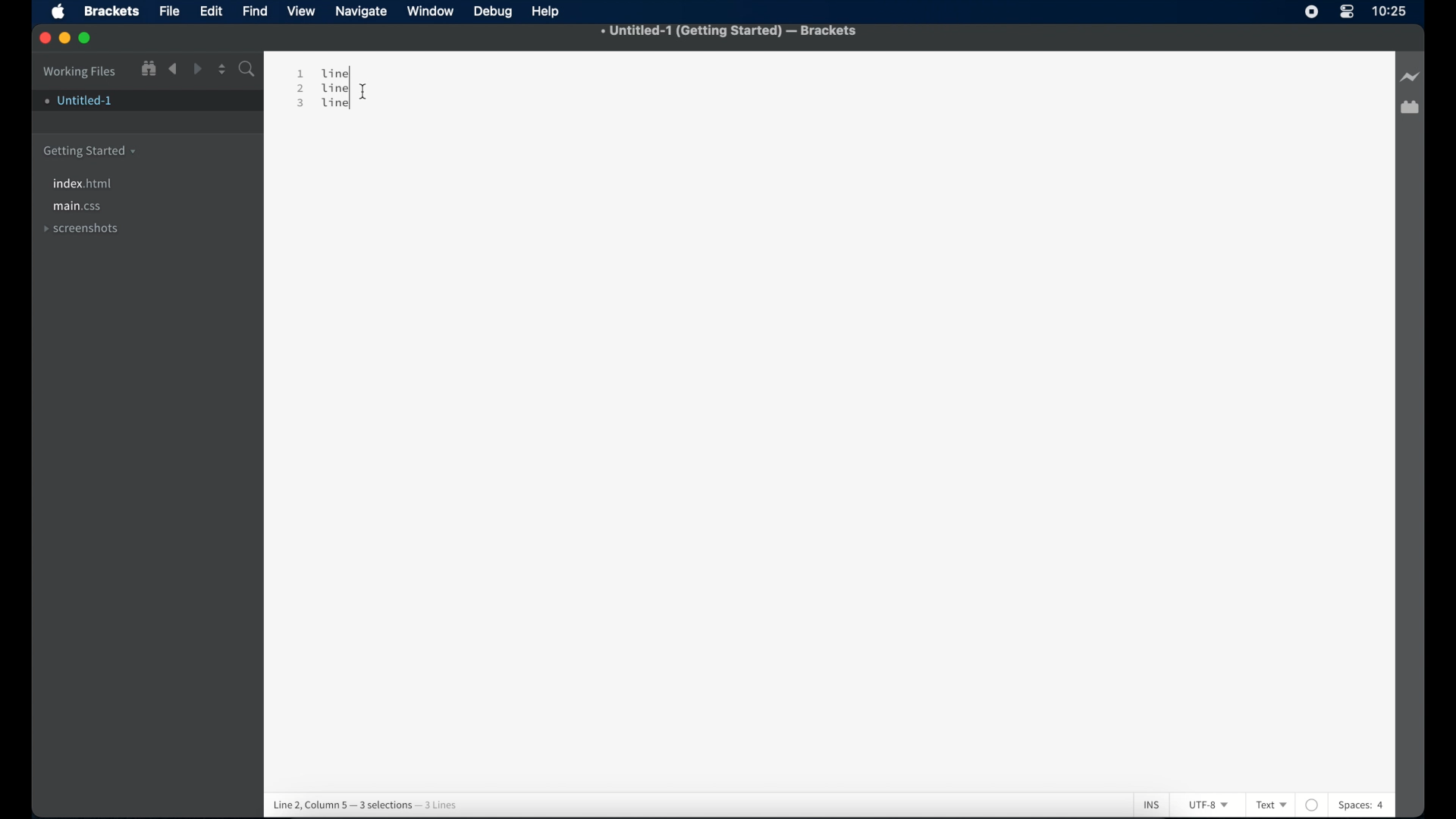  What do you see at coordinates (362, 12) in the screenshot?
I see `navigate` at bounding box center [362, 12].